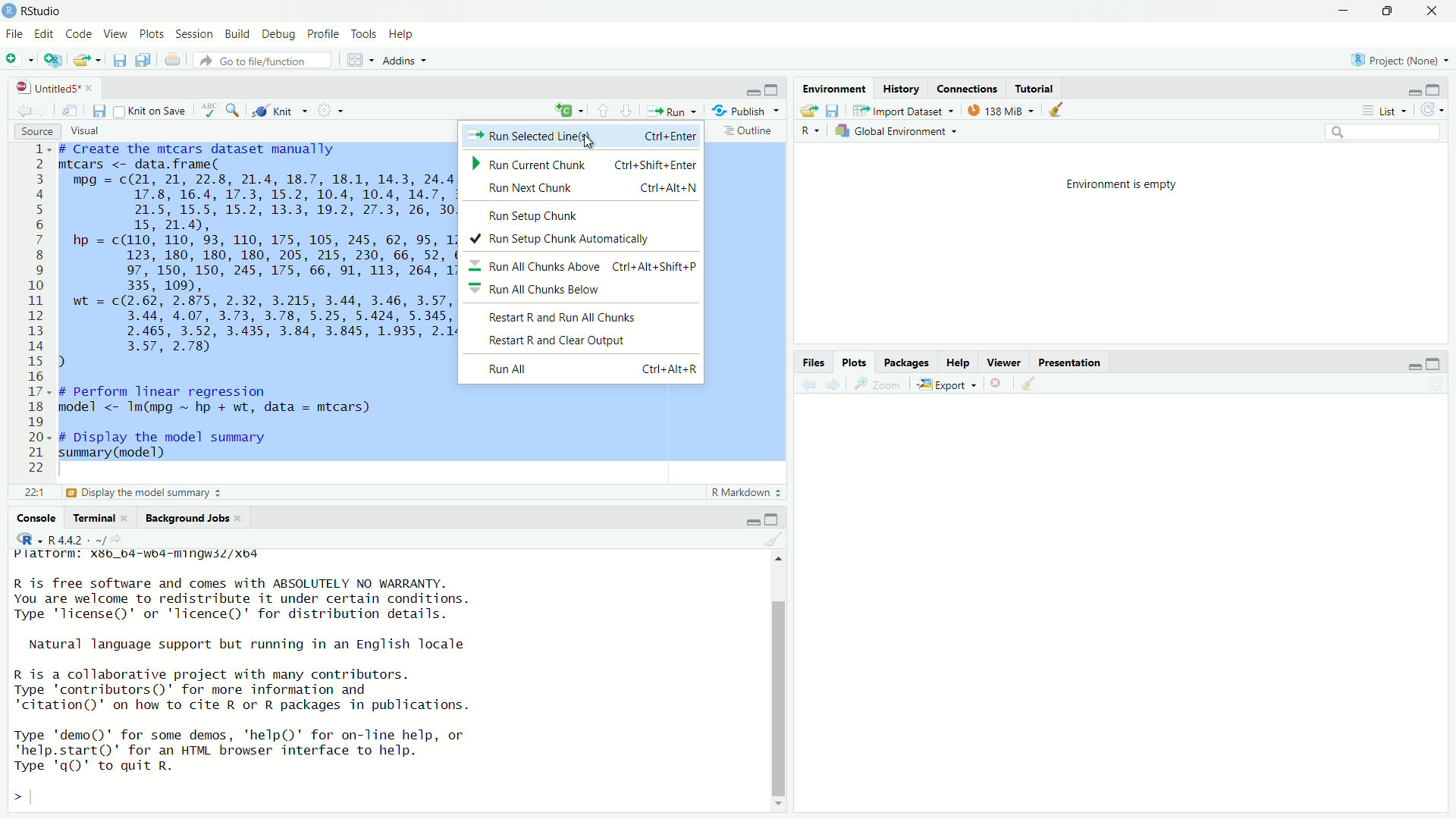 The width and height of the screenshot is (1456, 819). What do you see at coordinates (9, 11) in the screenshot?
I see `app icon` at bounding box center [9, 11].